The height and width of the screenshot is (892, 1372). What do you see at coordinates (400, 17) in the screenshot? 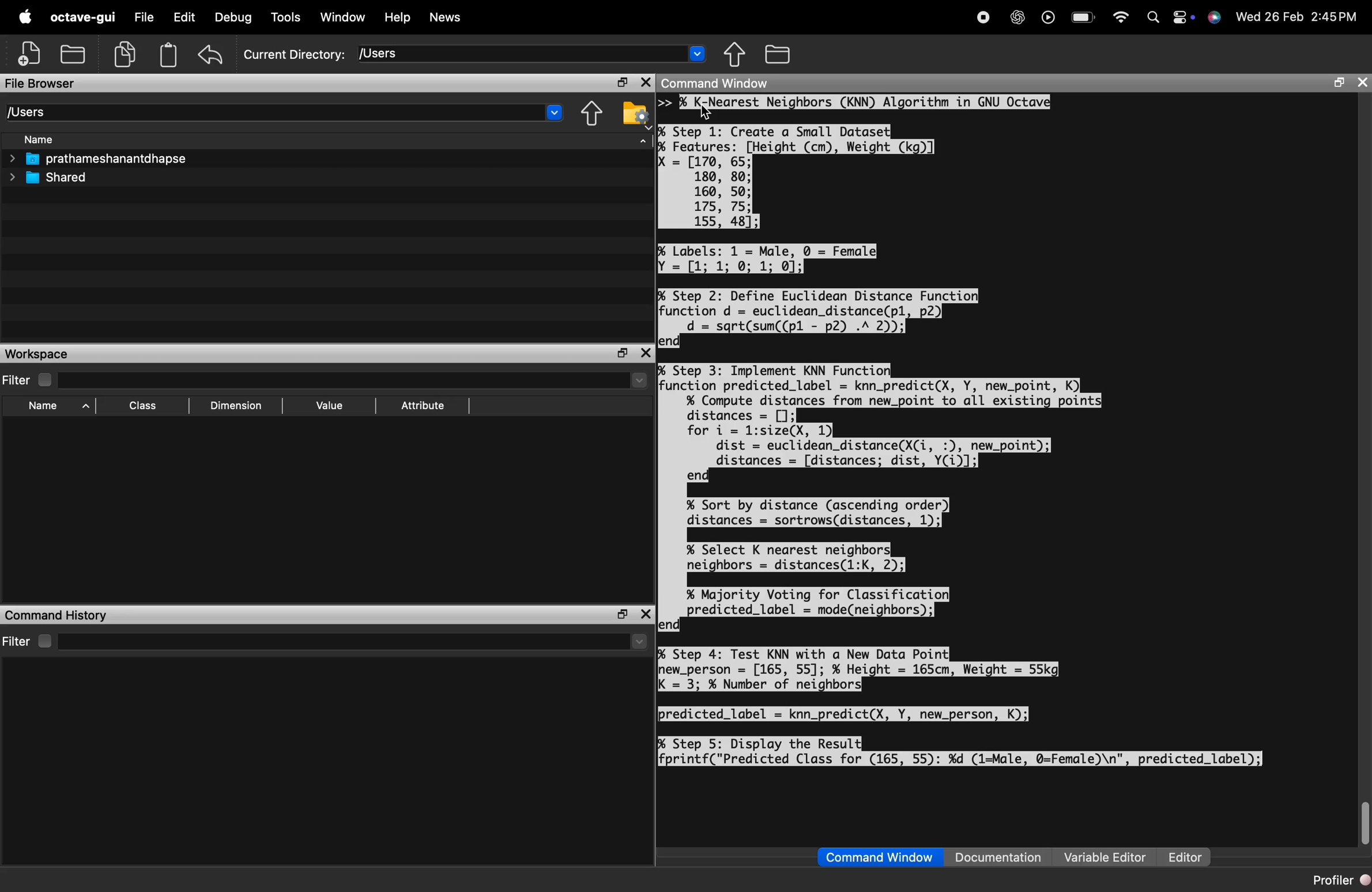
I see `Help` at bounding box center [400, 17].